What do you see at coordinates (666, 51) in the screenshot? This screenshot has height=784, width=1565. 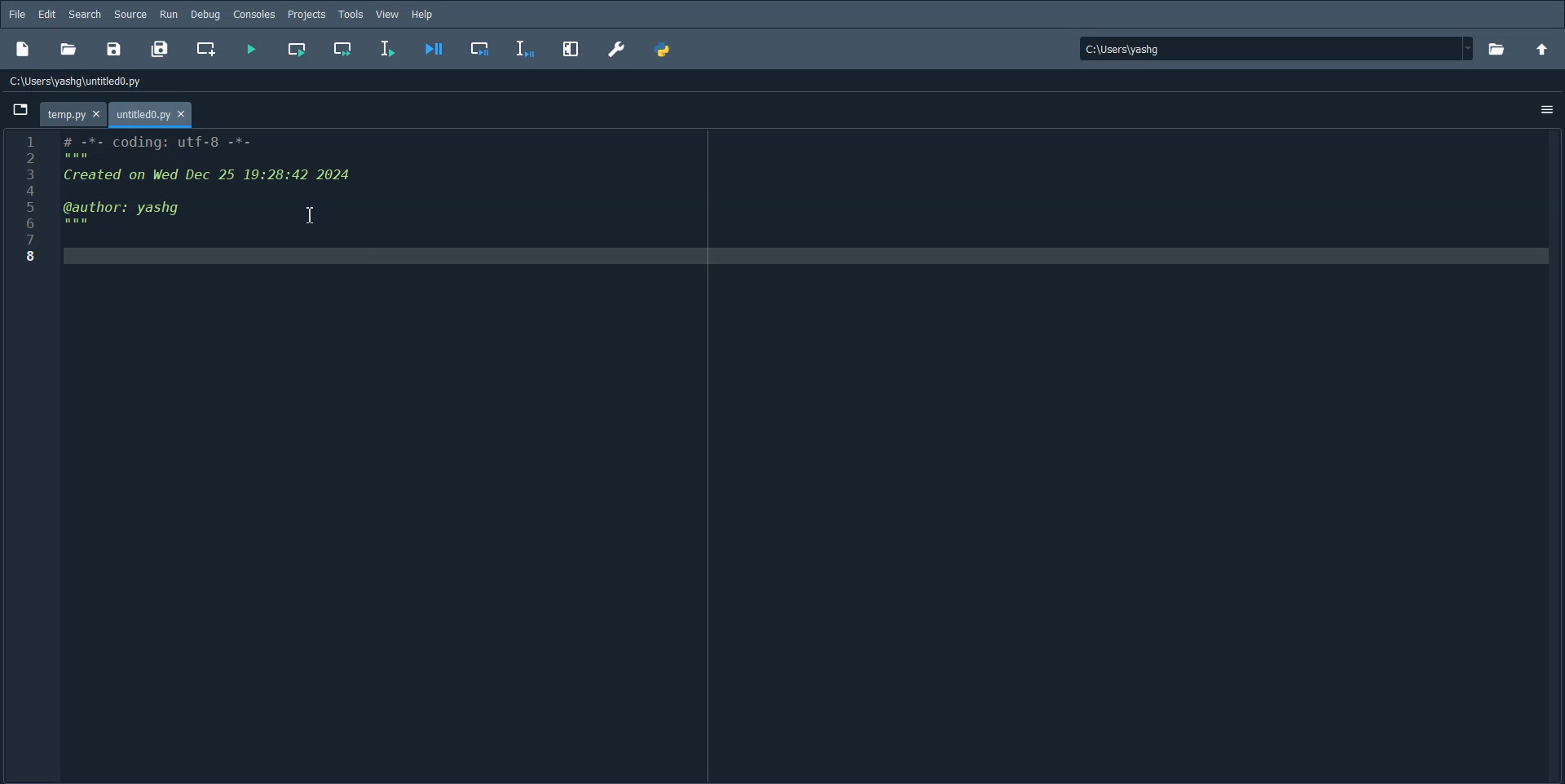 I see `PYTHONPATH Manager` at bounding box center [666, 51].